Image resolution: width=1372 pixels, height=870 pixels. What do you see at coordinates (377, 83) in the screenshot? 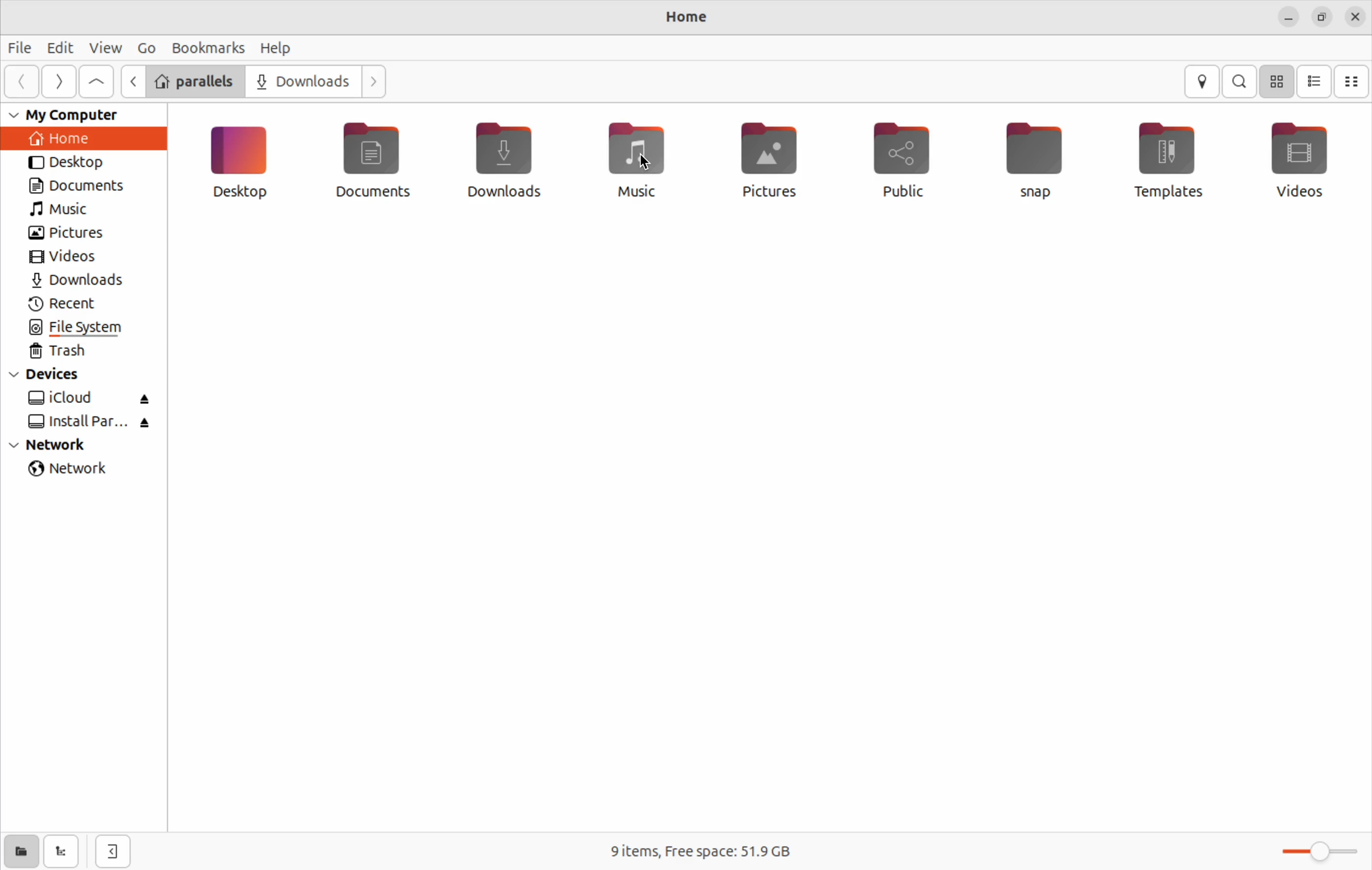
I see `Forward` at bounding box center [377, 83].